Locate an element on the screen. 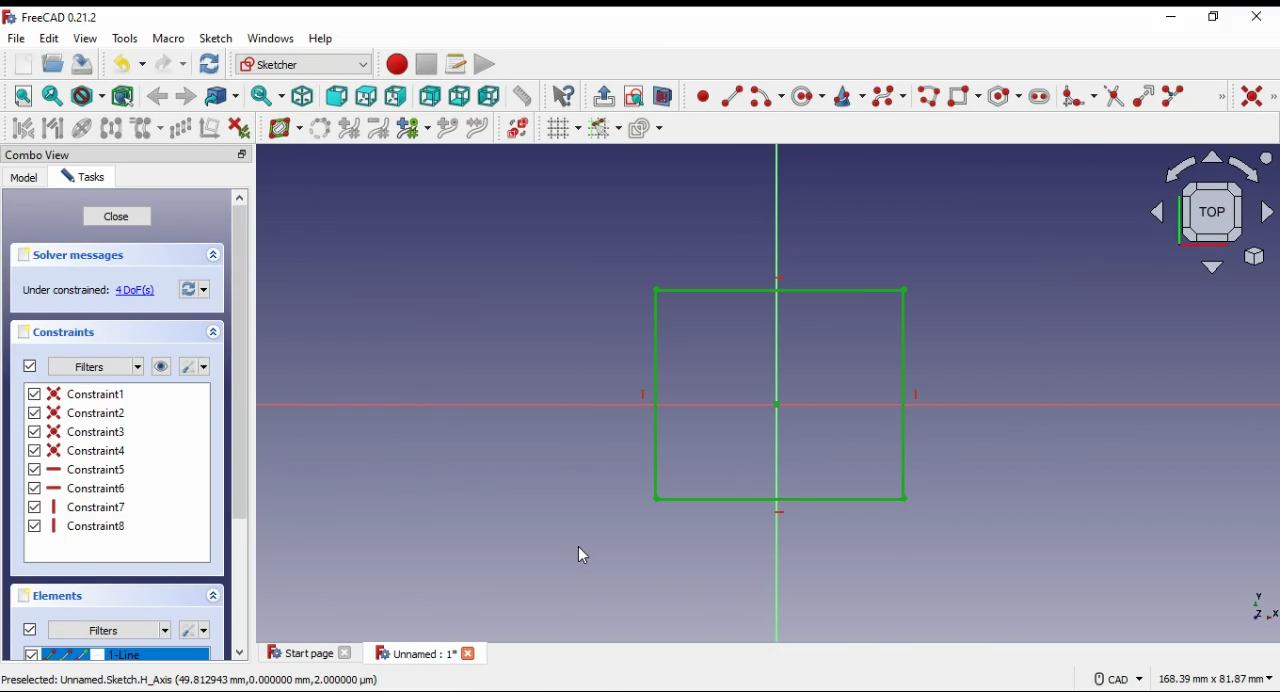 The image size is (1280, 692).  is located at coordinates (267, 96).